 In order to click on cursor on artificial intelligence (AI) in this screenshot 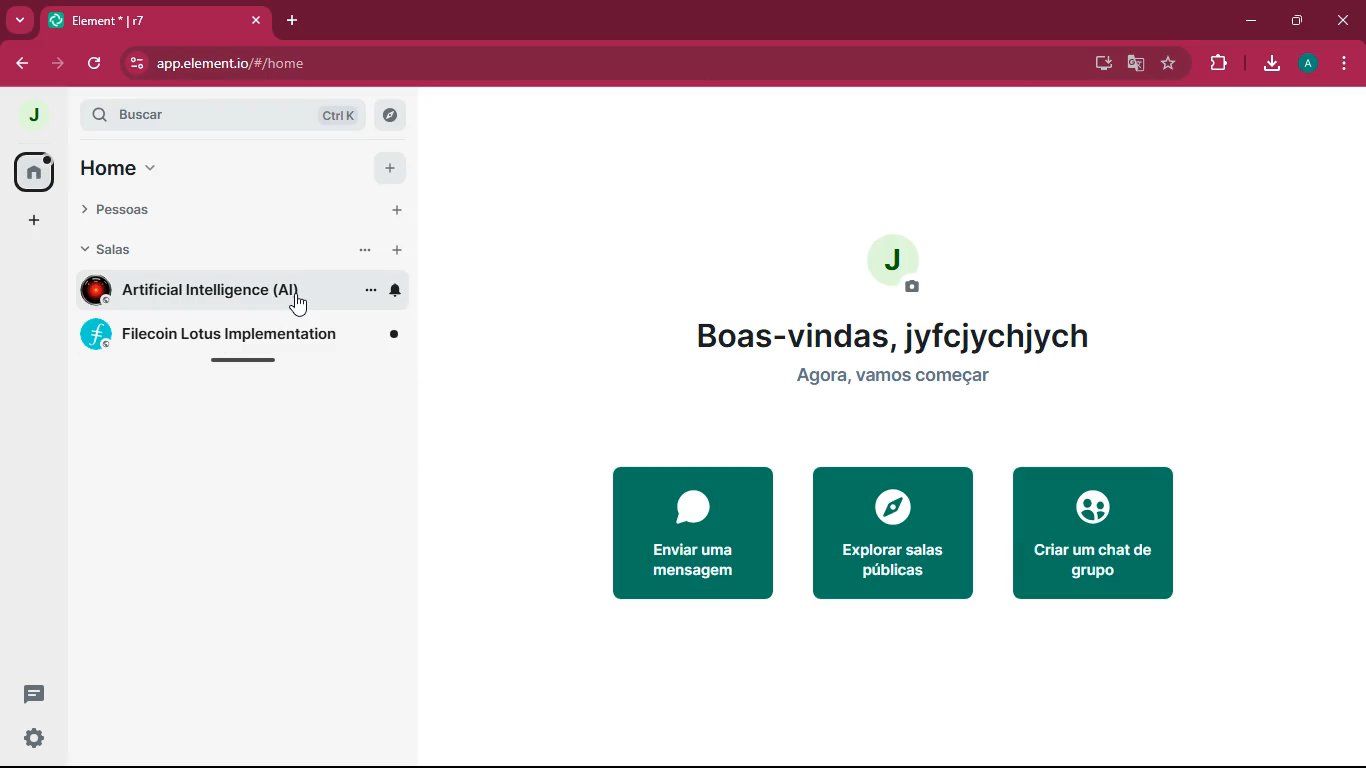, I will do `click(302, 306)`.